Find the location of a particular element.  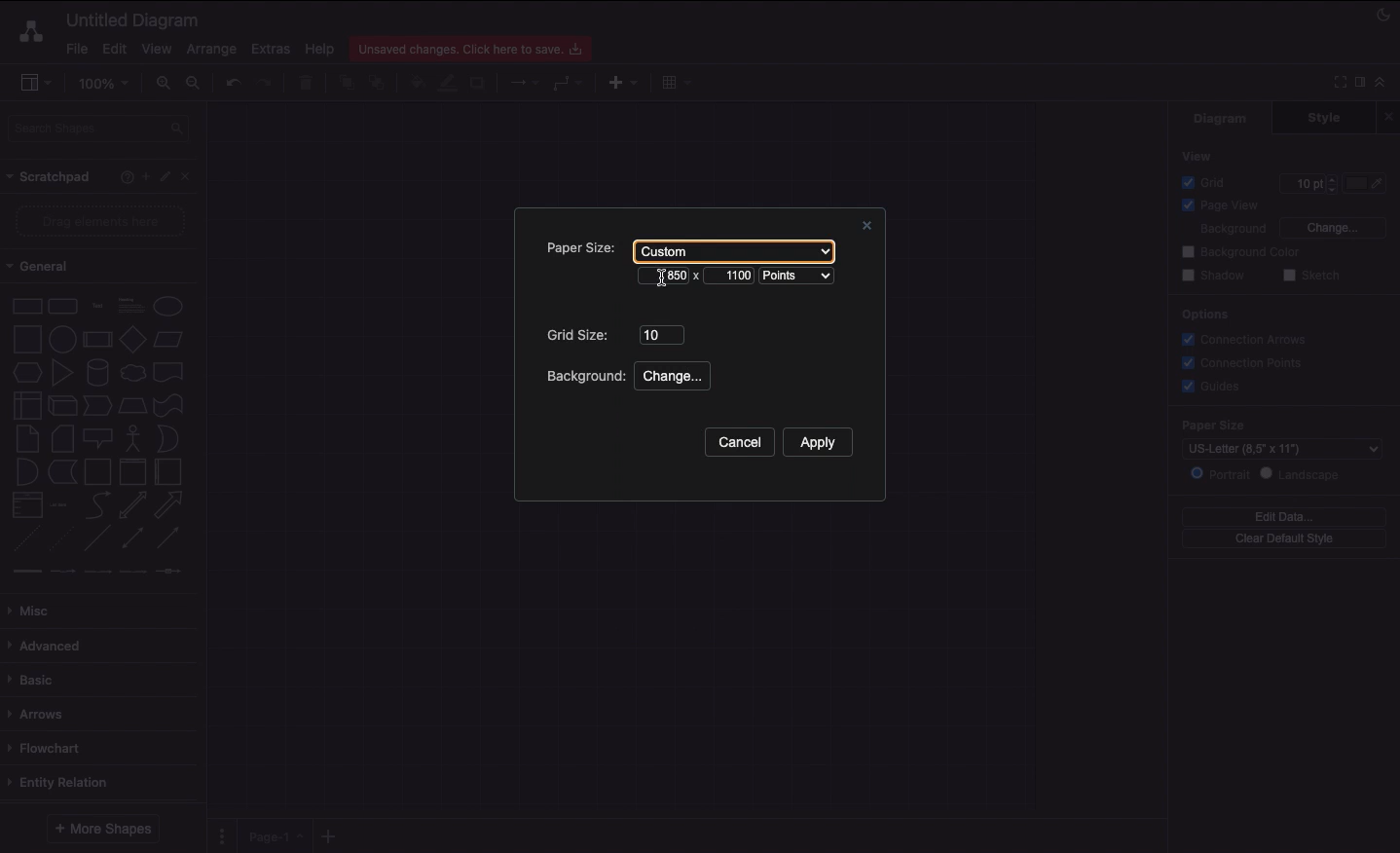

Night mode  is located at coordinates (1384, 13).